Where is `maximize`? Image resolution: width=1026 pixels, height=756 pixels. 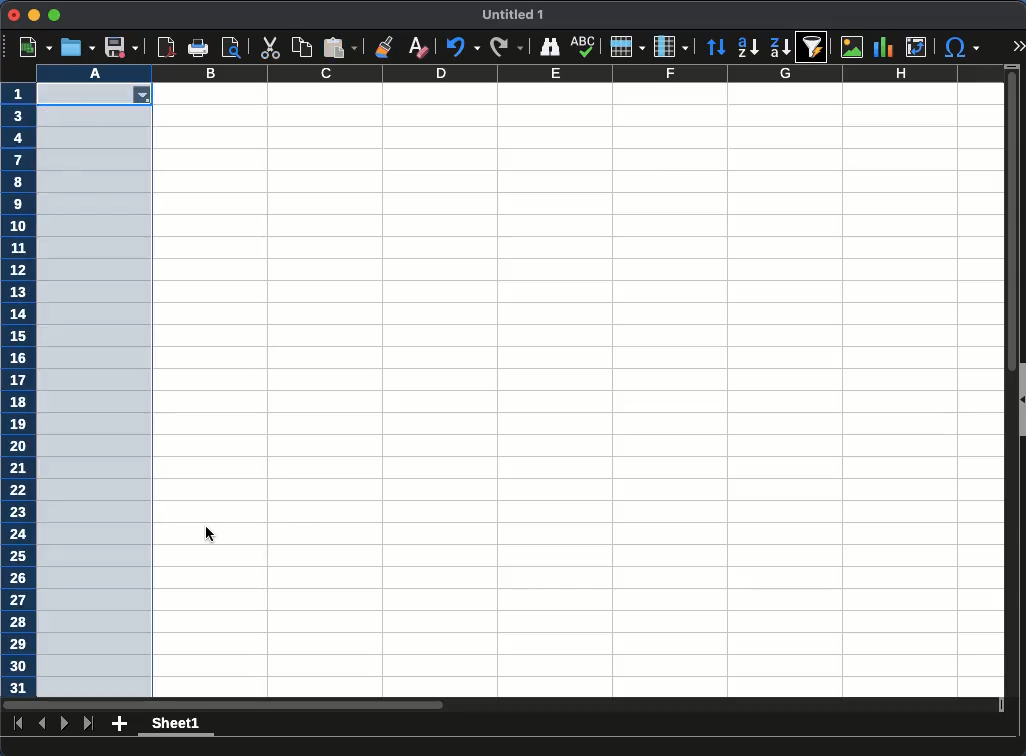 maximize is located at coordinates (53, 15).